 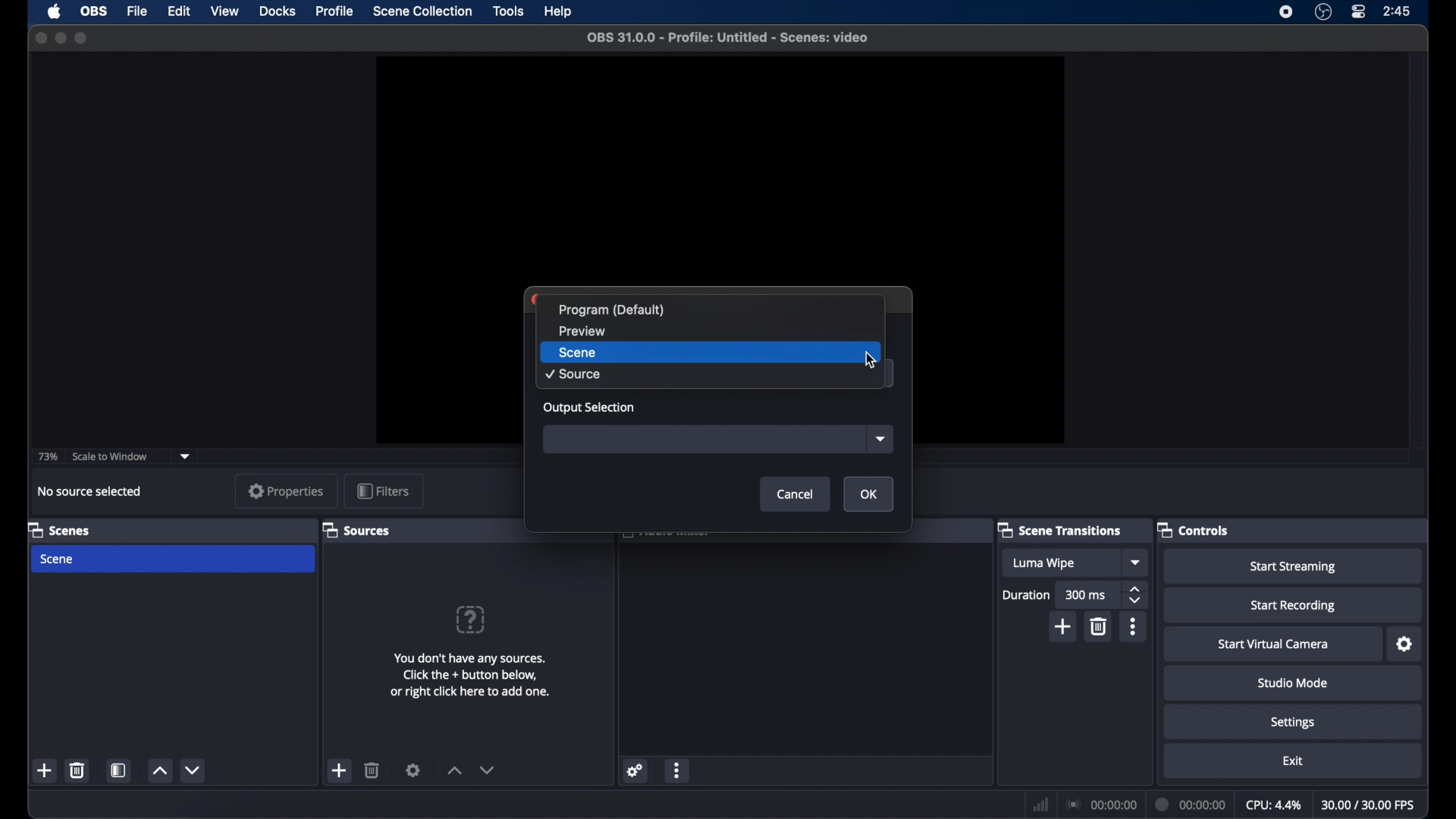 I want to click on filters, so click(x=382, y=491).